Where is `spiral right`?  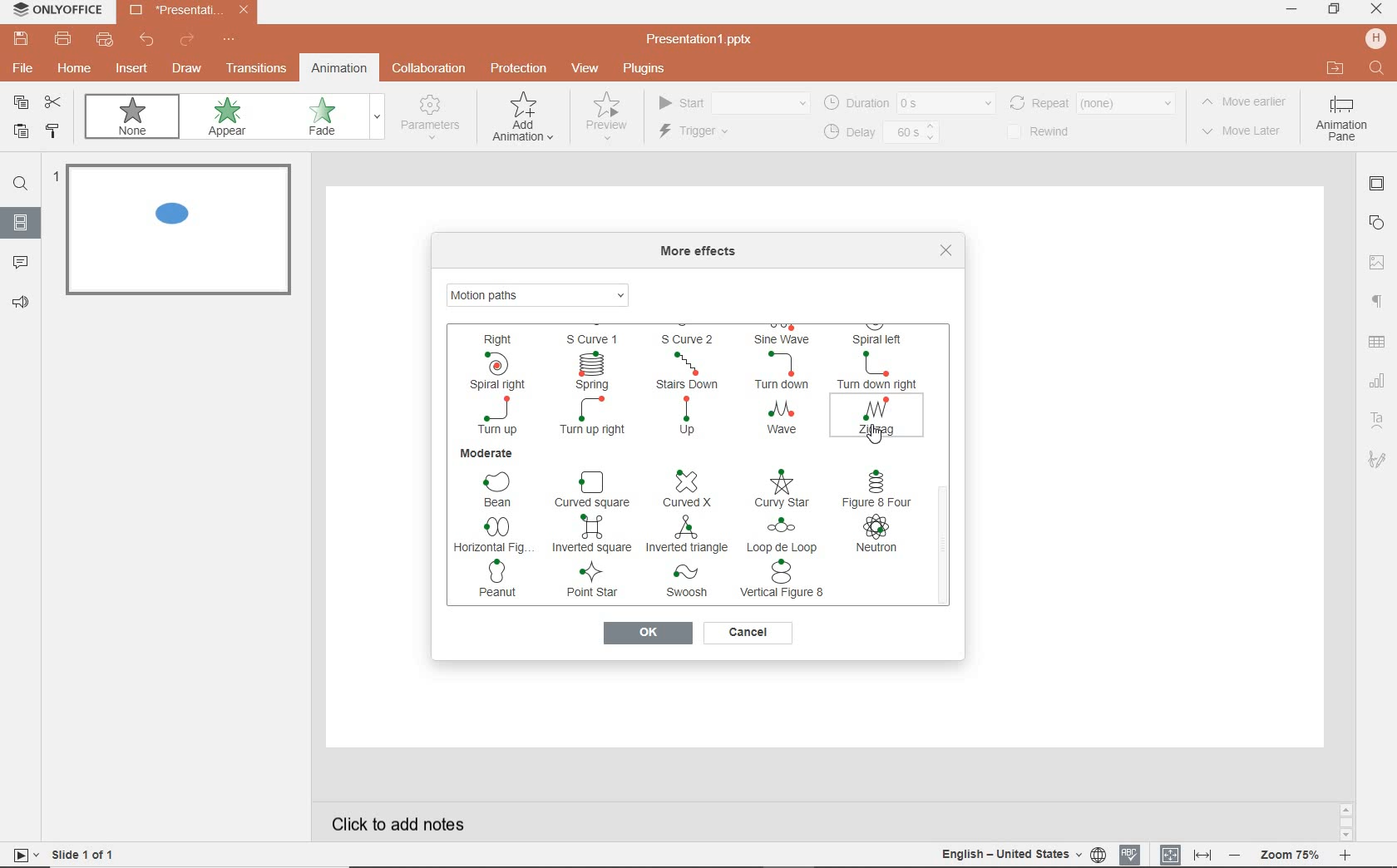 spiral right is located at coordinates (492, 370).